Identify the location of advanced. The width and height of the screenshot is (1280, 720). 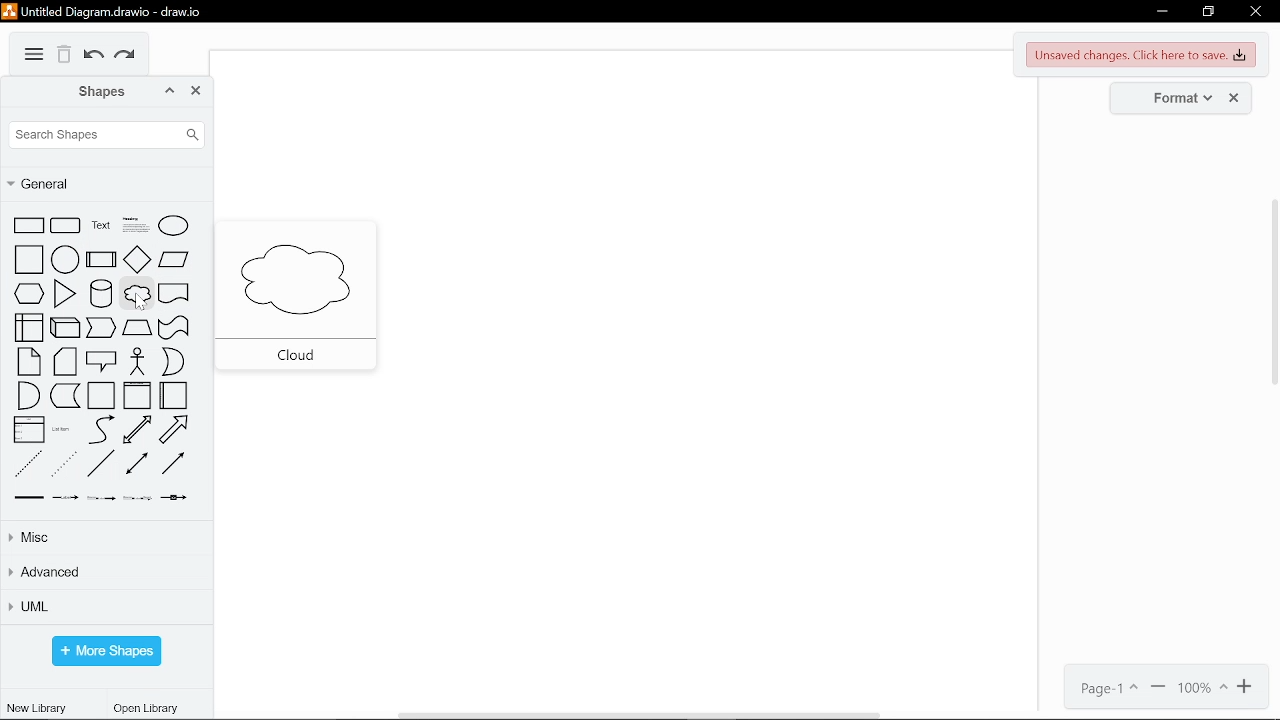
(103, 571).